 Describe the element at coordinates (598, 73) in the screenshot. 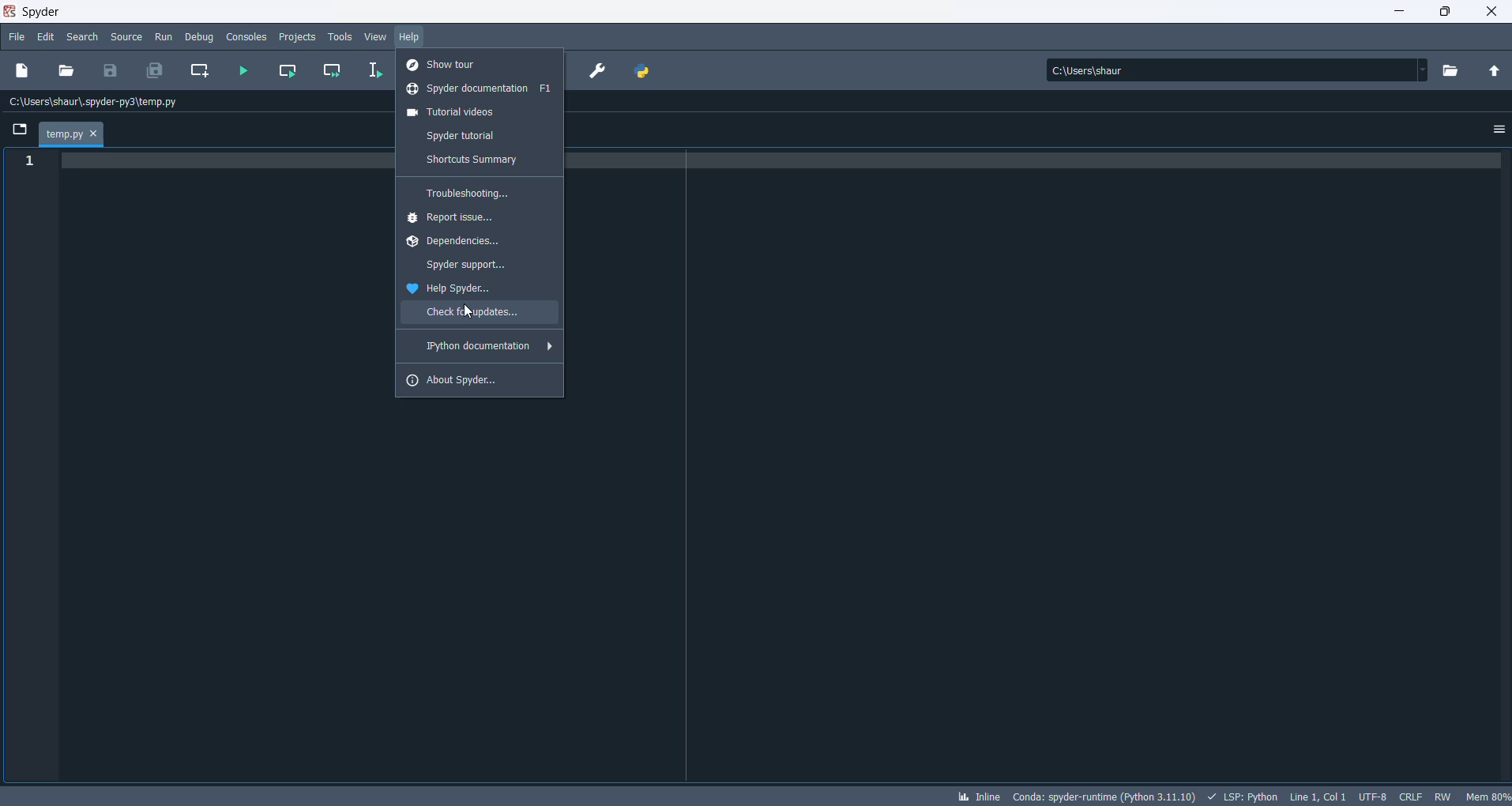

I see `PREFERENCES` at that location.